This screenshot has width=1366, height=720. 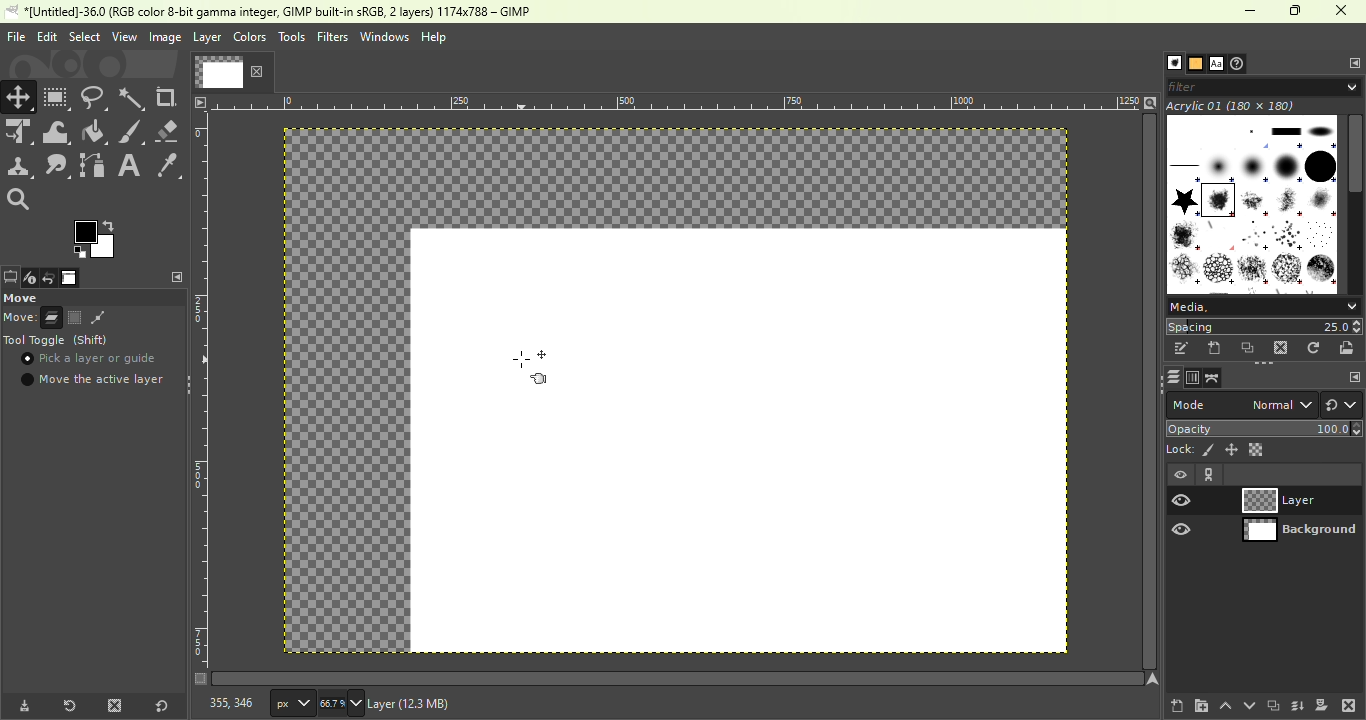 I want to click on Access the image menu, so click(x=200, y=101).